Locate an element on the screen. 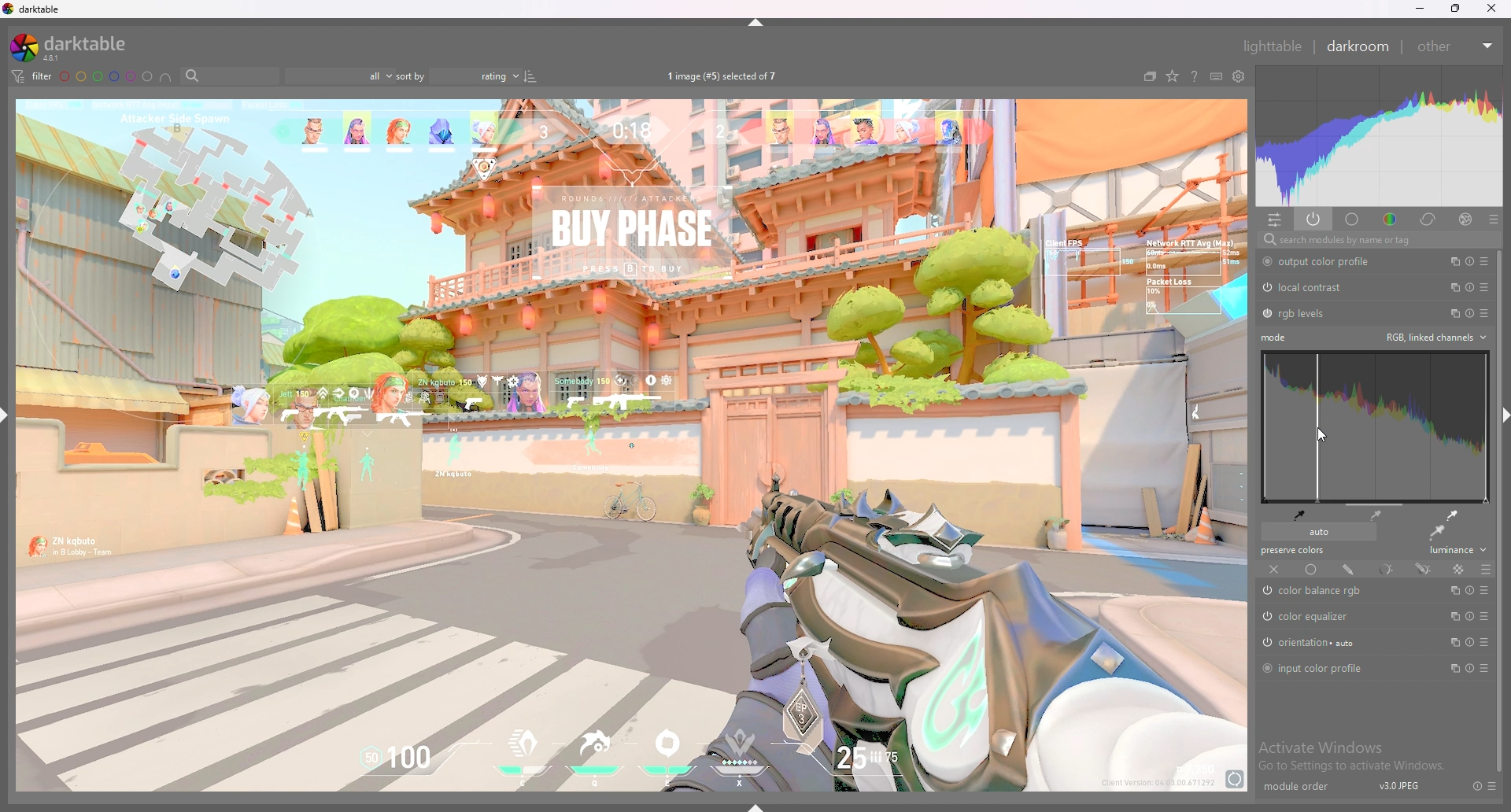  medium gray points is located at coordinates (1377, 515).